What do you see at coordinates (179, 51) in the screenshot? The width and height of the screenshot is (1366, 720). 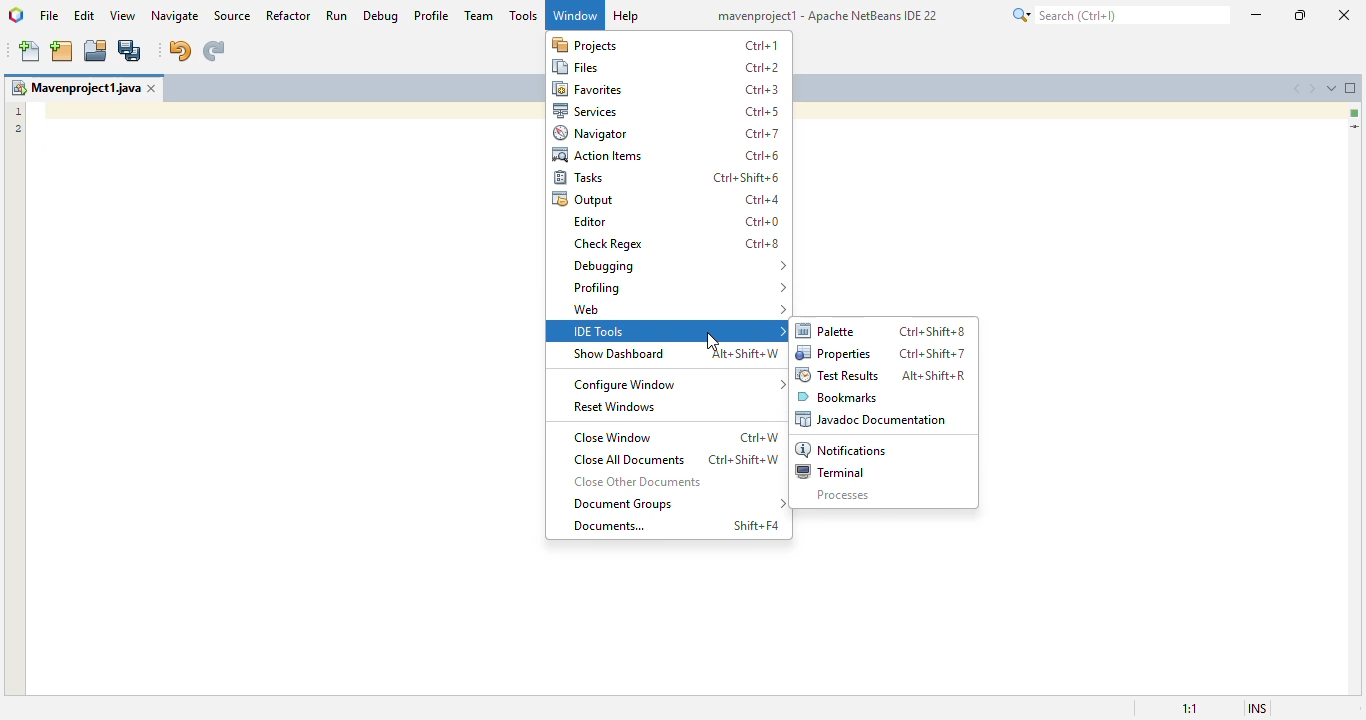 I see `undo` at bounding box center [179, 51].